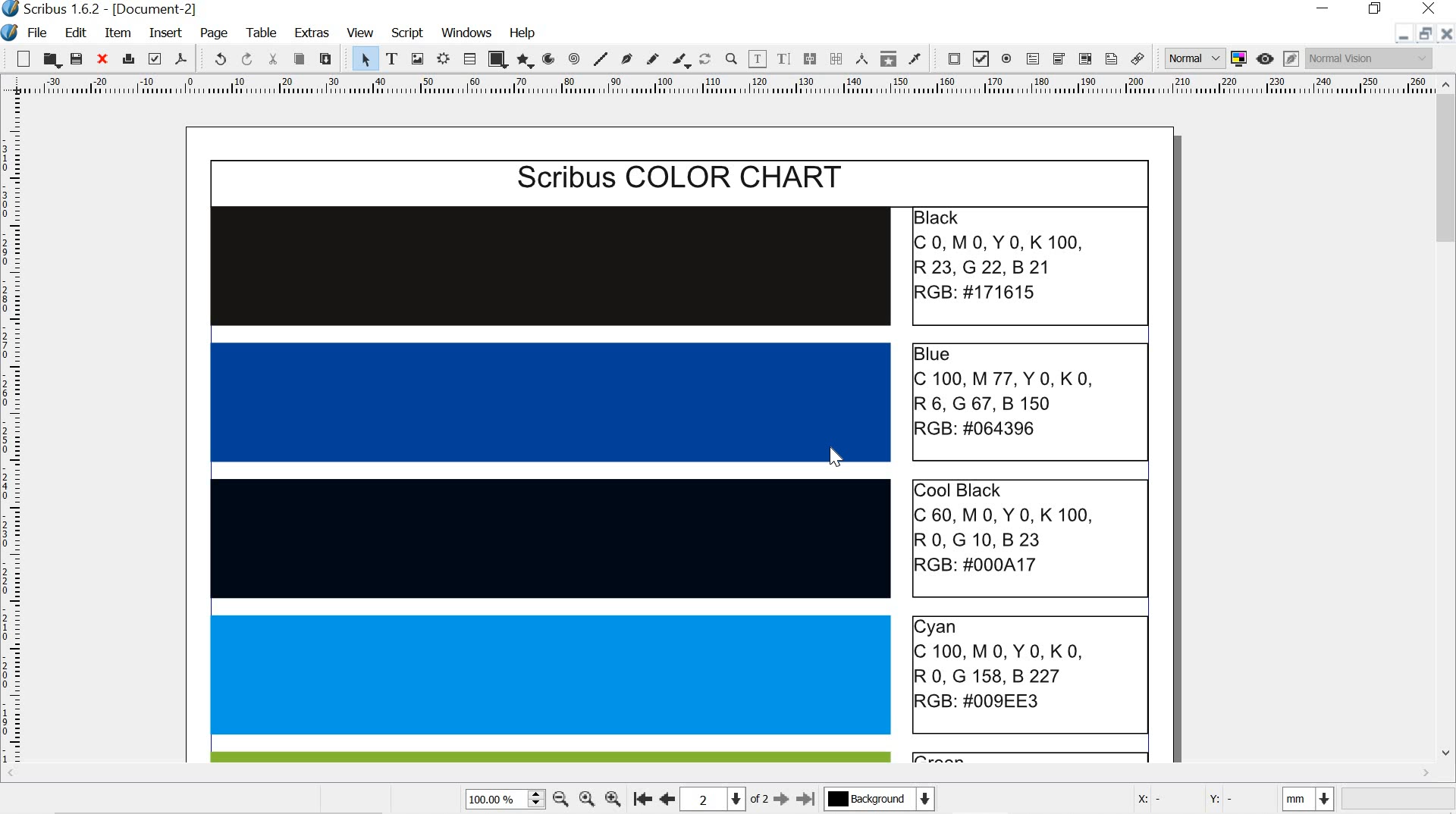 Image resolution: width=1456 pixels, height=814 pixels. I want to click on Cyan C100,M0,Y0,K0, R 0, G 158, B 227 RGB: #009EE3, so click(1032, 675).